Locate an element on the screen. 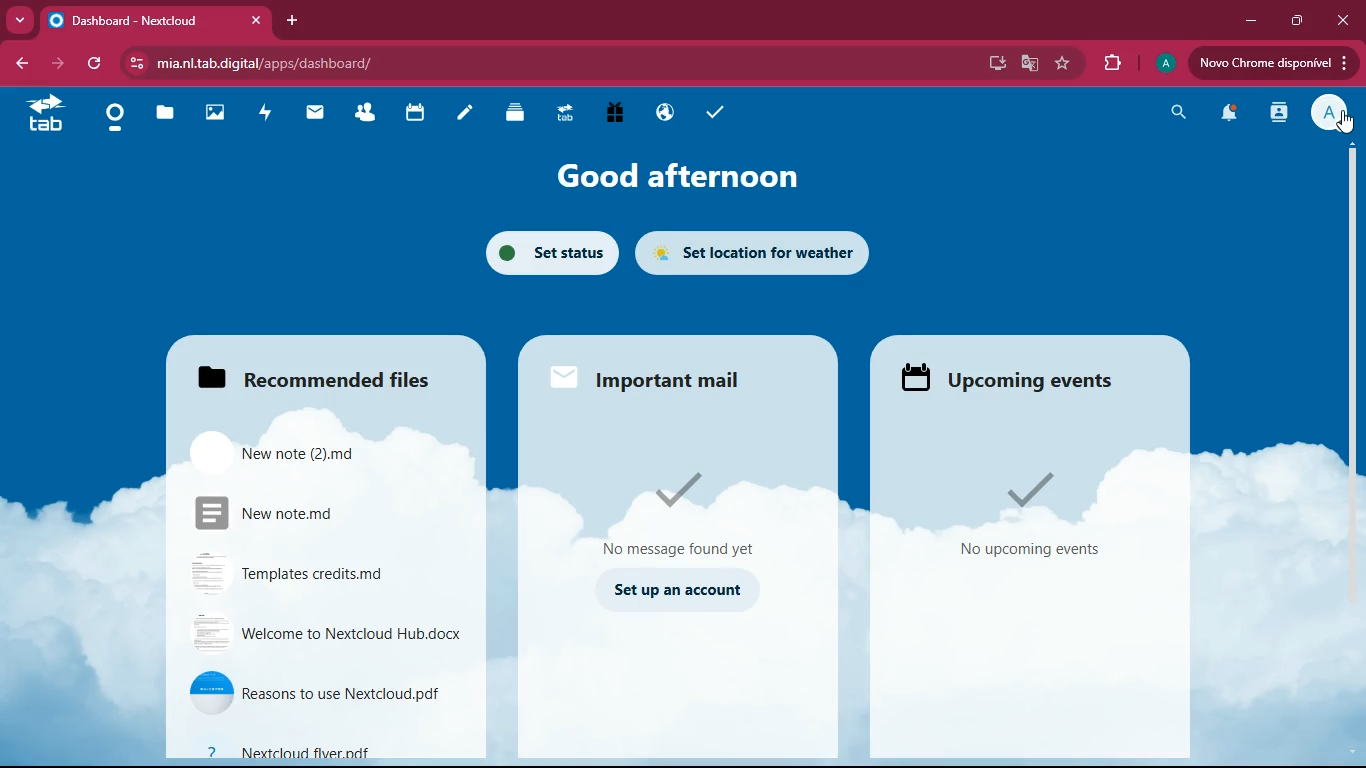  forward is located at coordinates (51, 65).